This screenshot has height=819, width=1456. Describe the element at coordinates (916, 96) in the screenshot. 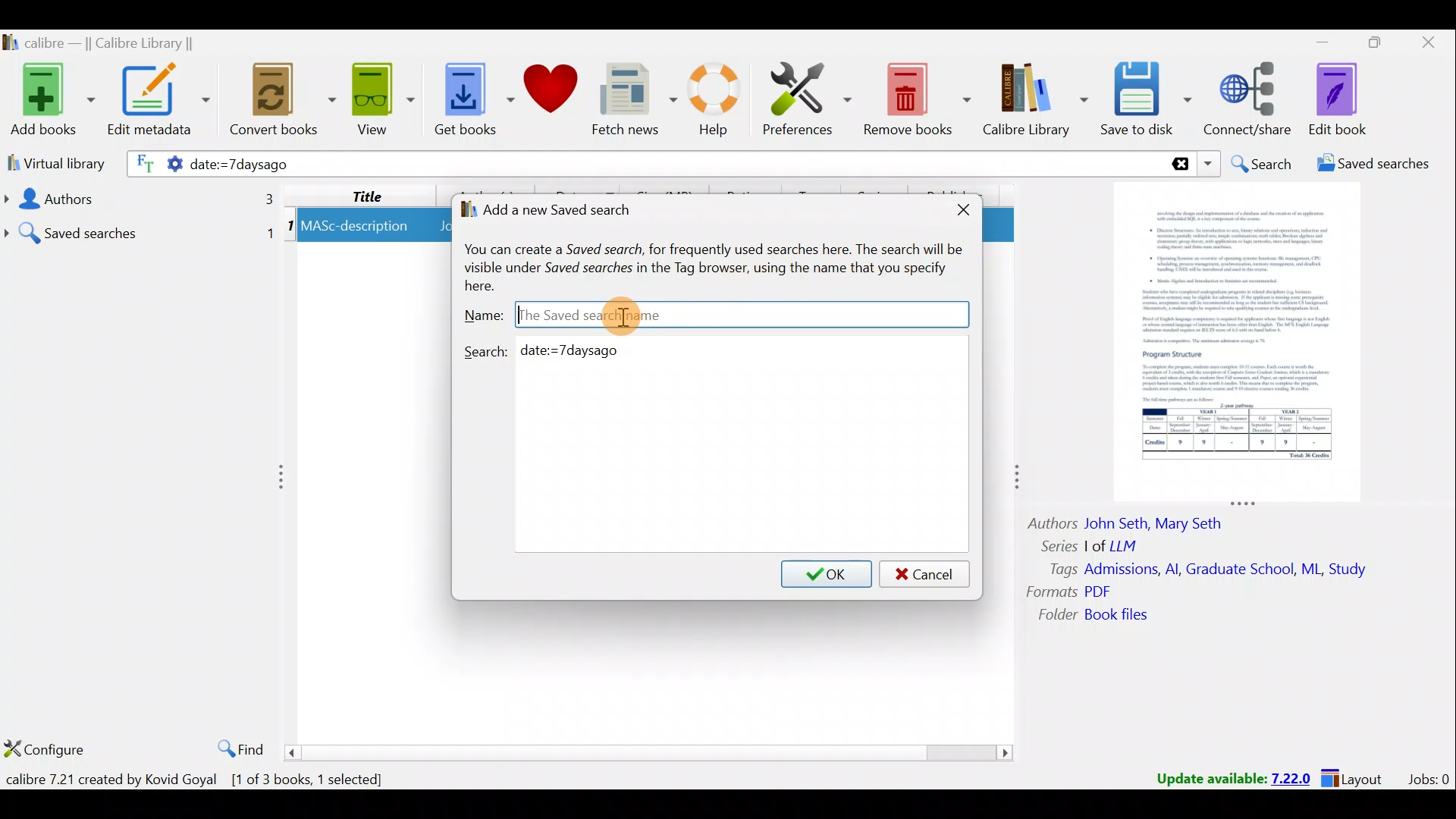

I see `Remove books` at that location.